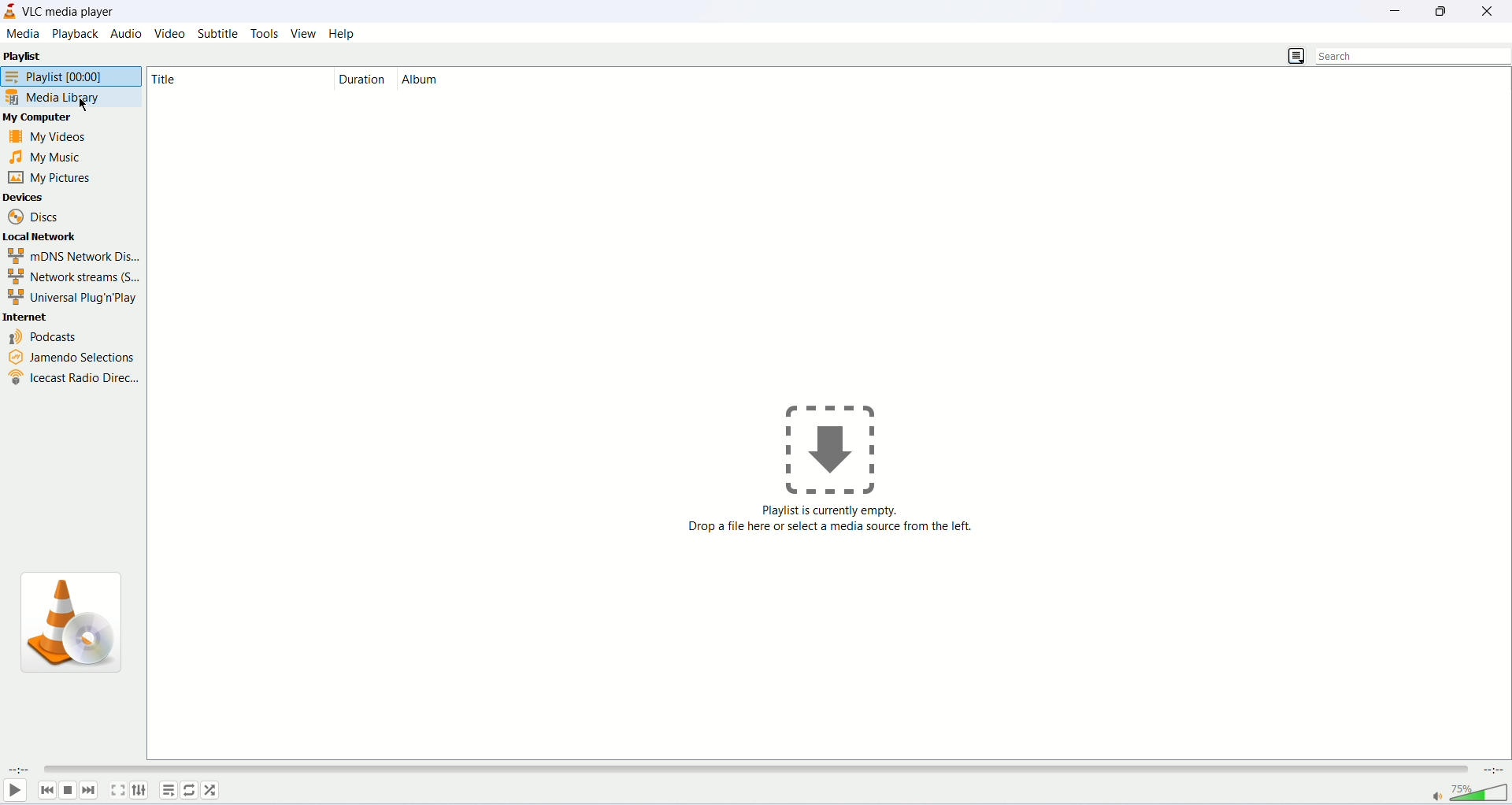 The height and width of the screenshot is (805, 1512). What do you see at coordinates (17, 772) in the screenshot?
I see `played time` at bounding box center [17, 772].